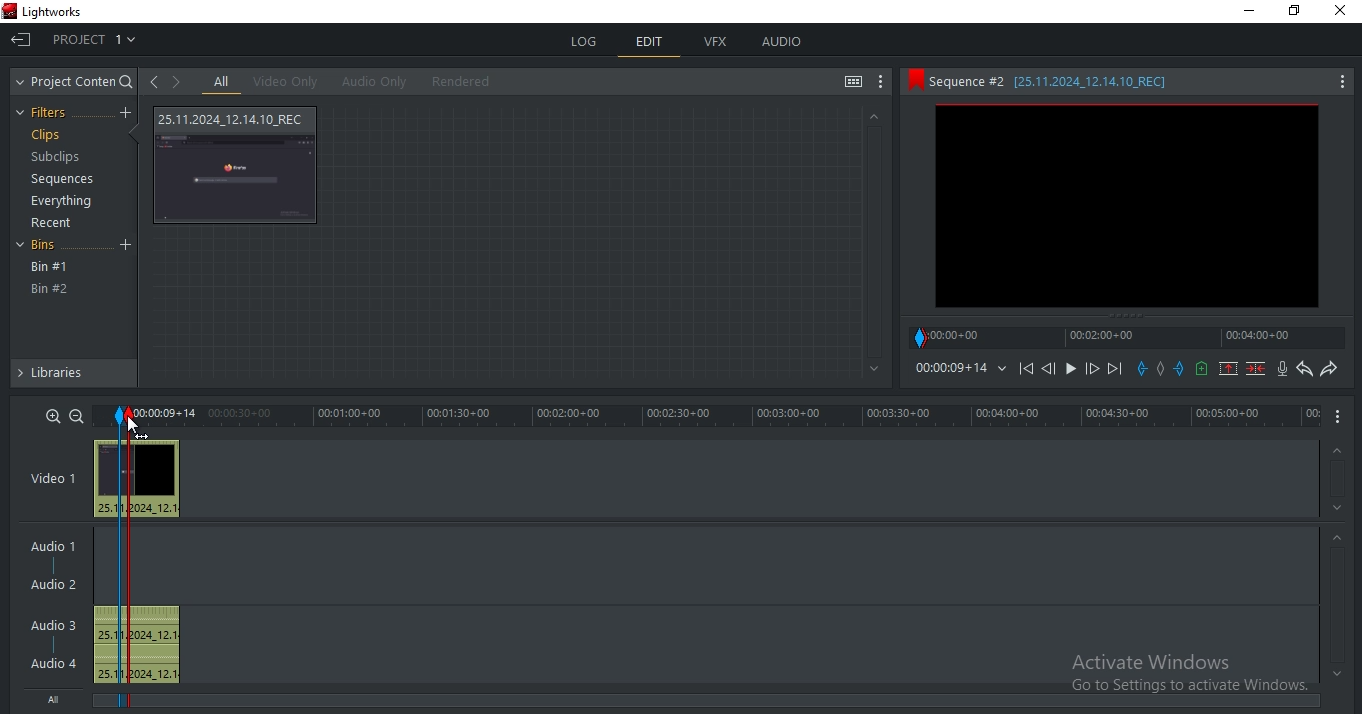 The width and height of the screenshot is (1362, 714). I want to click on timeline, so click(1130, 337).